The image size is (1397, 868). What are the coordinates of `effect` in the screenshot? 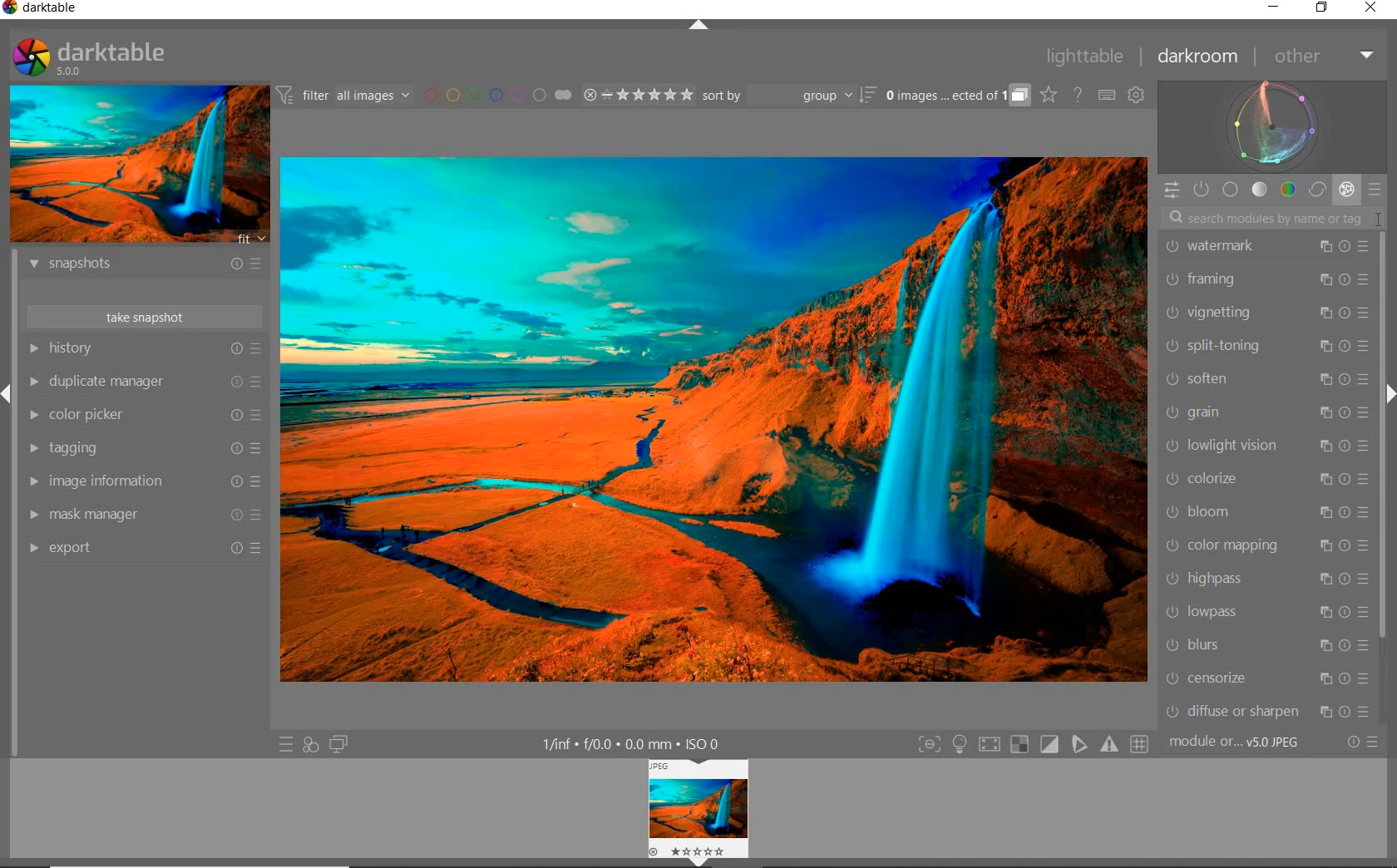 It's located at (1344, 189).